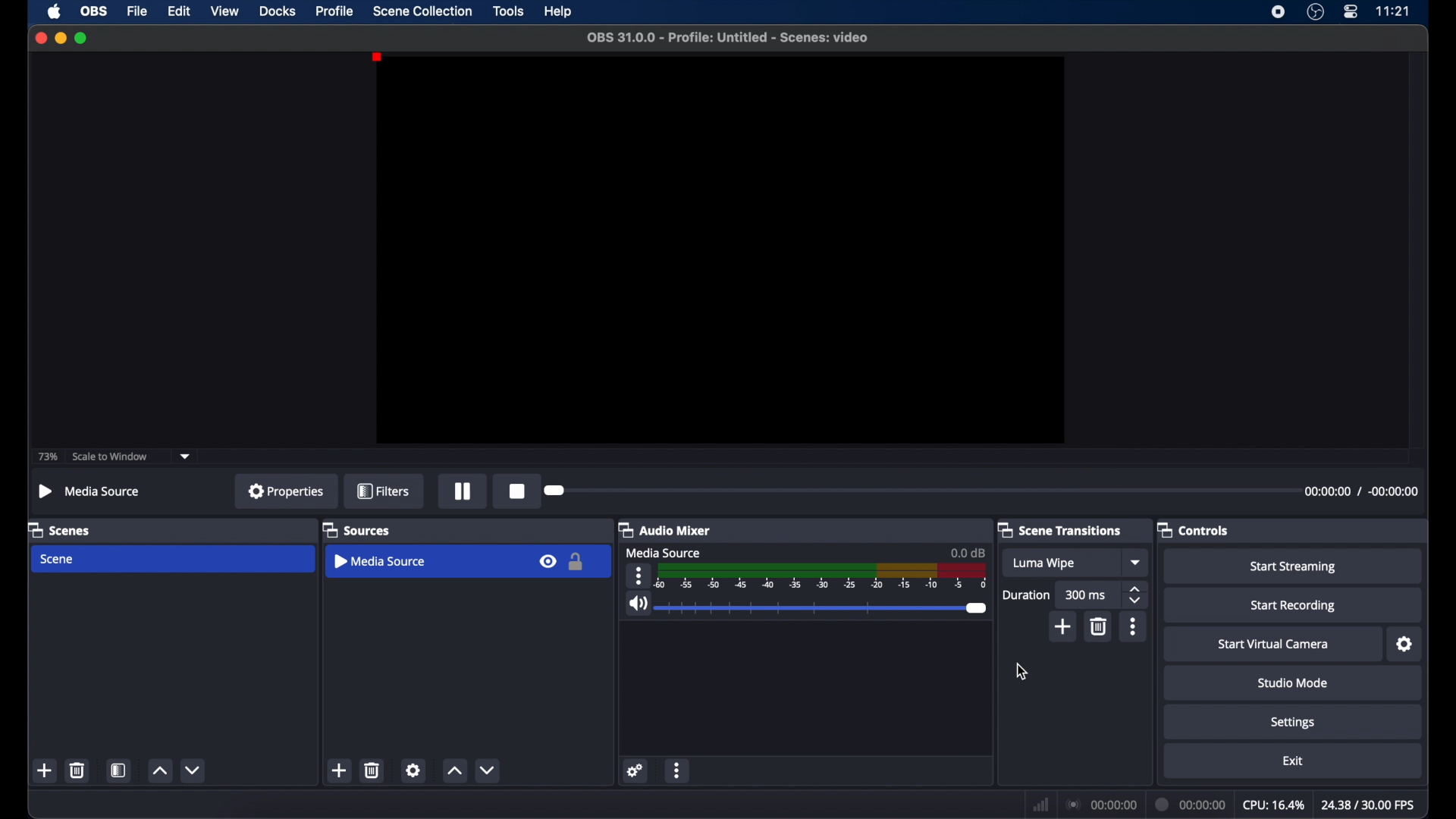 The image size is (1456, 819). What do you see at coordinates (1294, 723) in the screenshot?
I see `settings` at bounding box center [1294, 723].